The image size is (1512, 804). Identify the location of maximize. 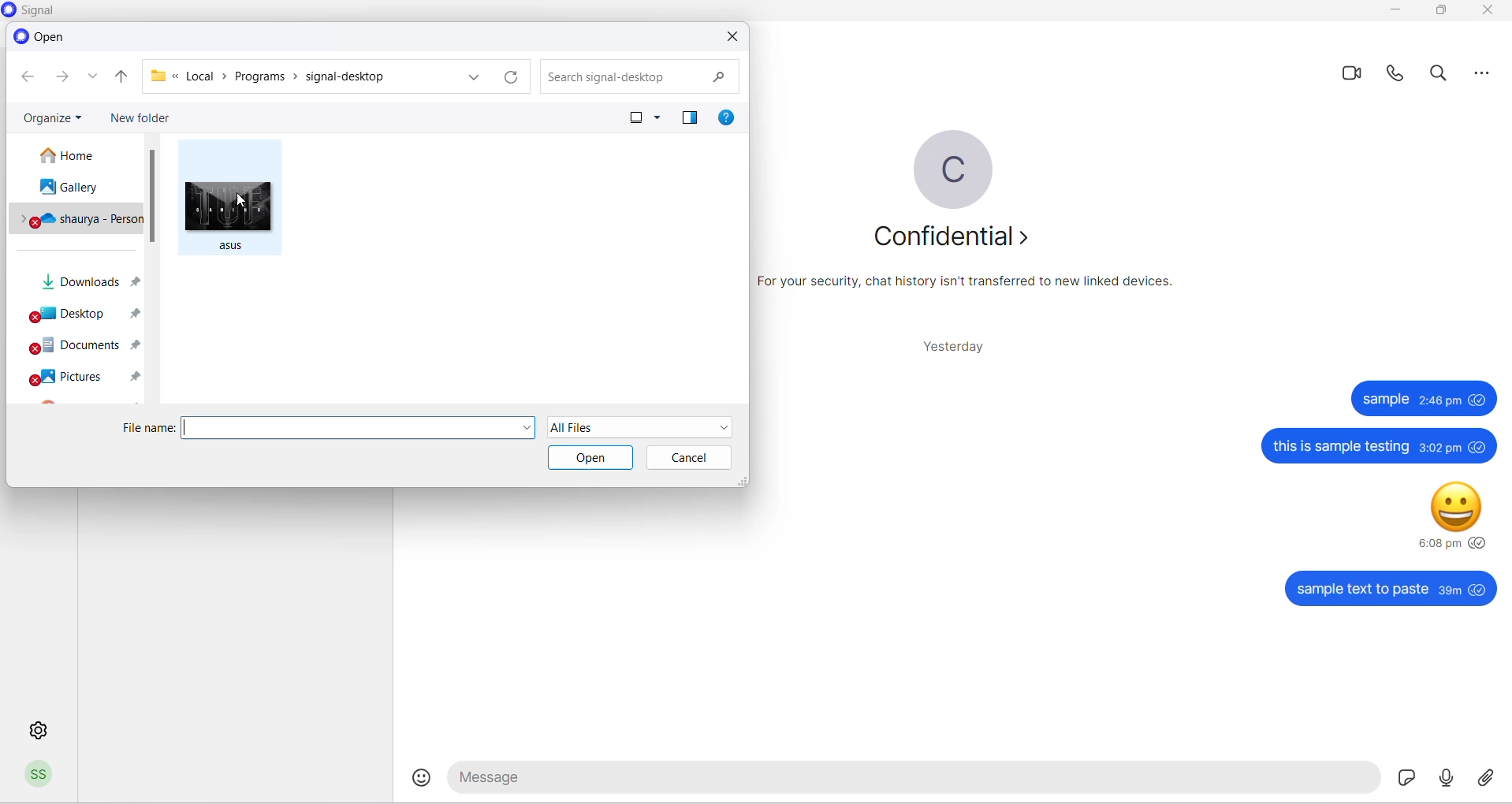
(1439, 12).